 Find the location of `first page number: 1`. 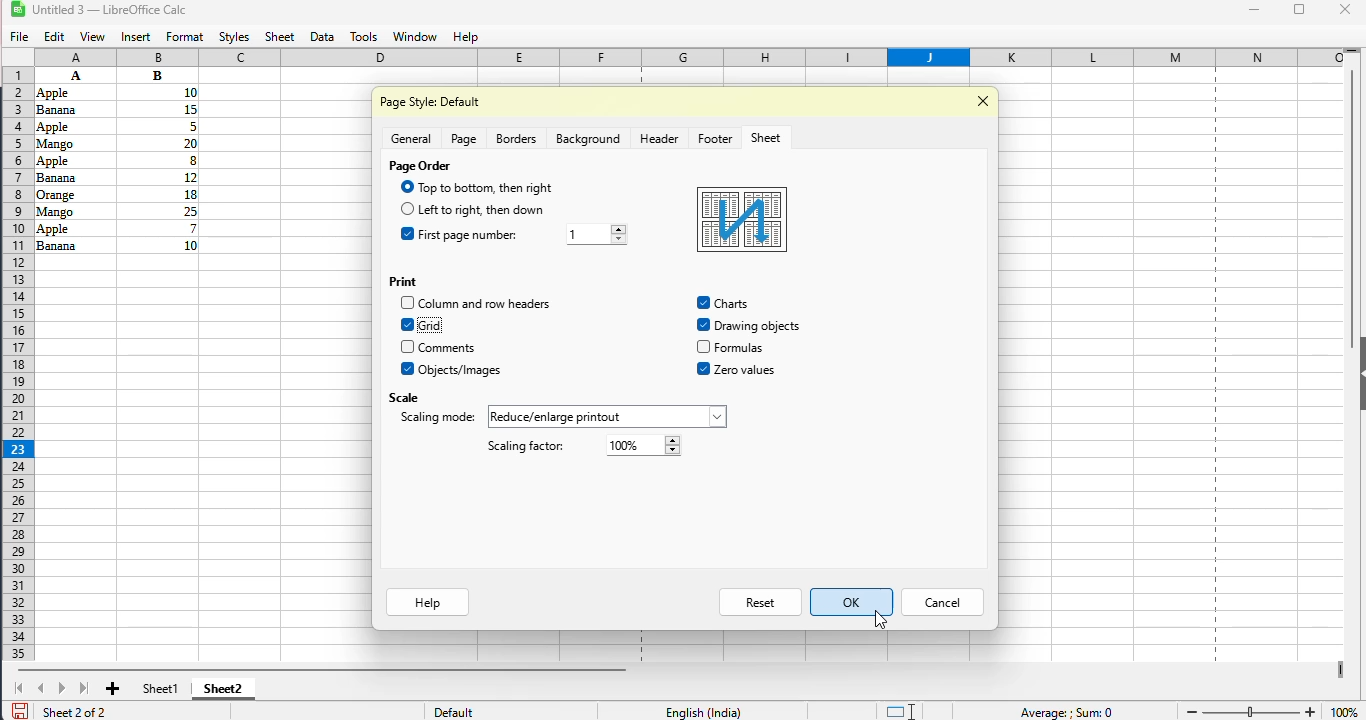

first page number: 1 is located at coordinates (477, 235).